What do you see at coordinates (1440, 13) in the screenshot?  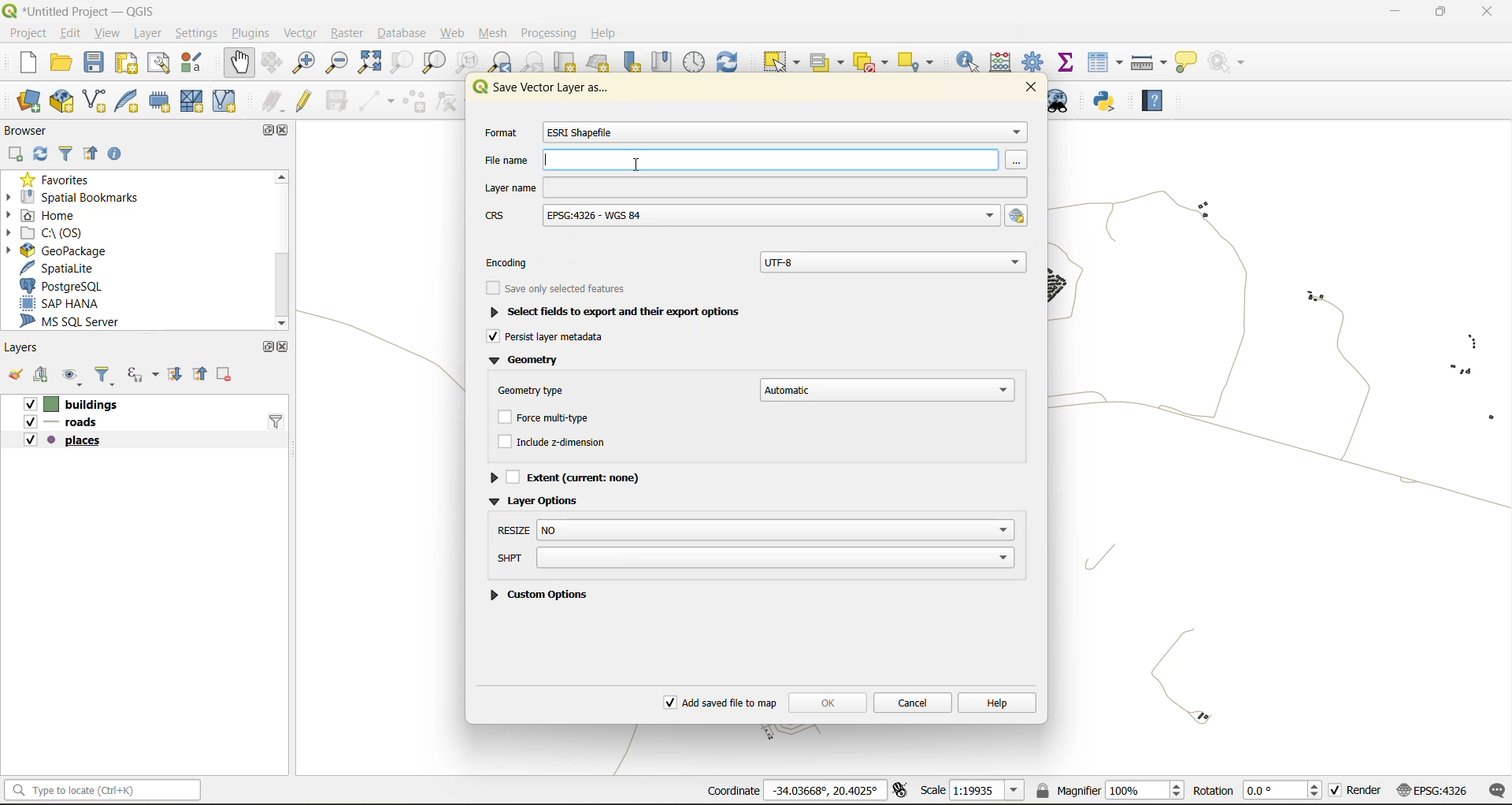 I see `maximize` at bounding box center [1440, 13].